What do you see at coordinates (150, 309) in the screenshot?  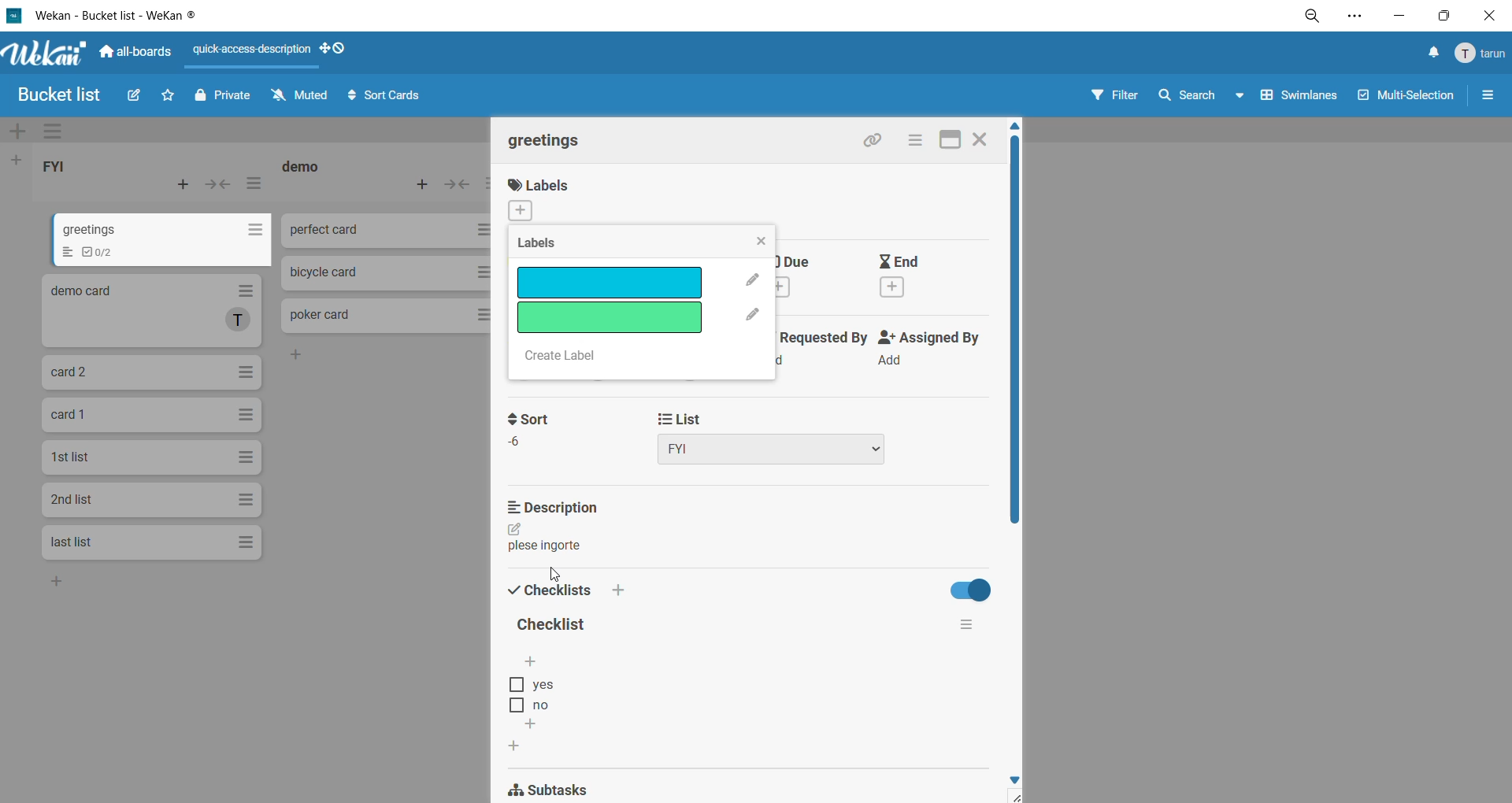 I see `demo card` at bounding box center [150, 309].